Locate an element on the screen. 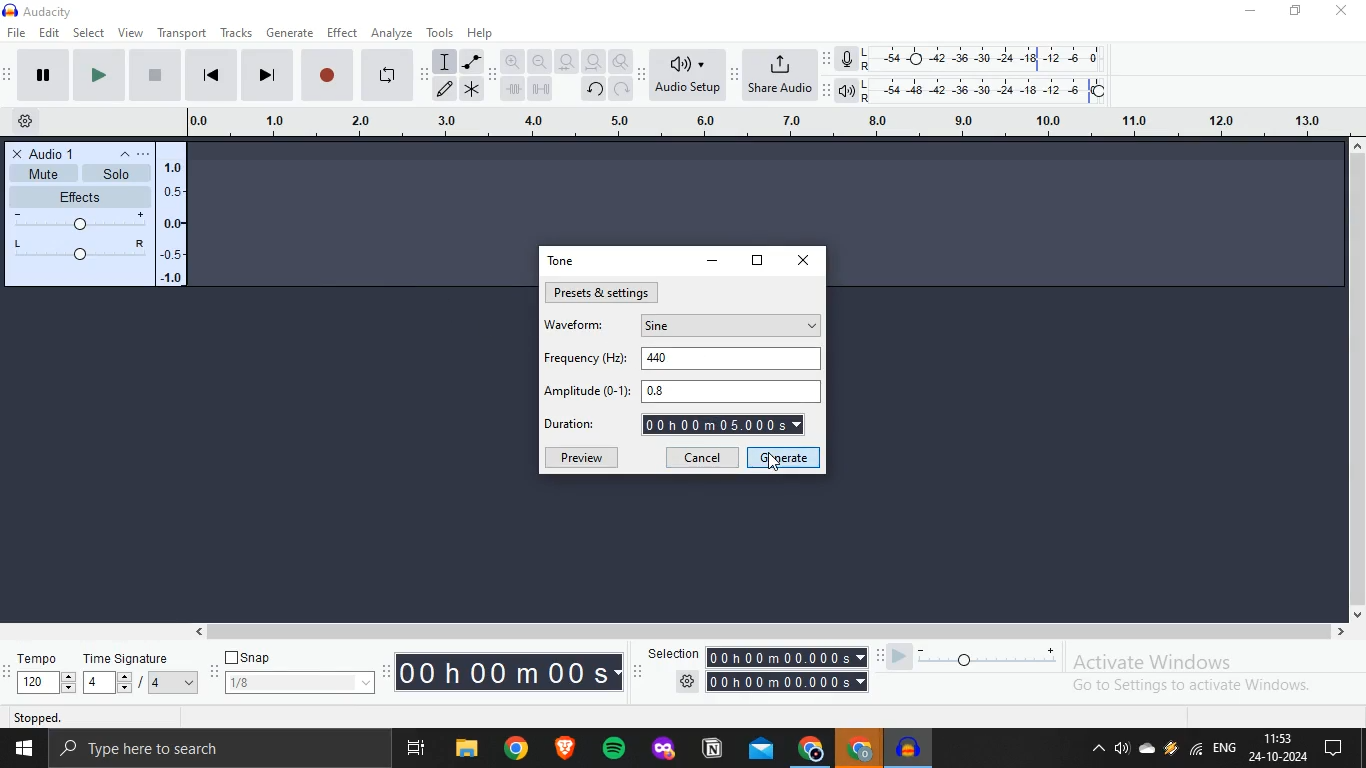  Fit Project is located at coordinates (593, 61).